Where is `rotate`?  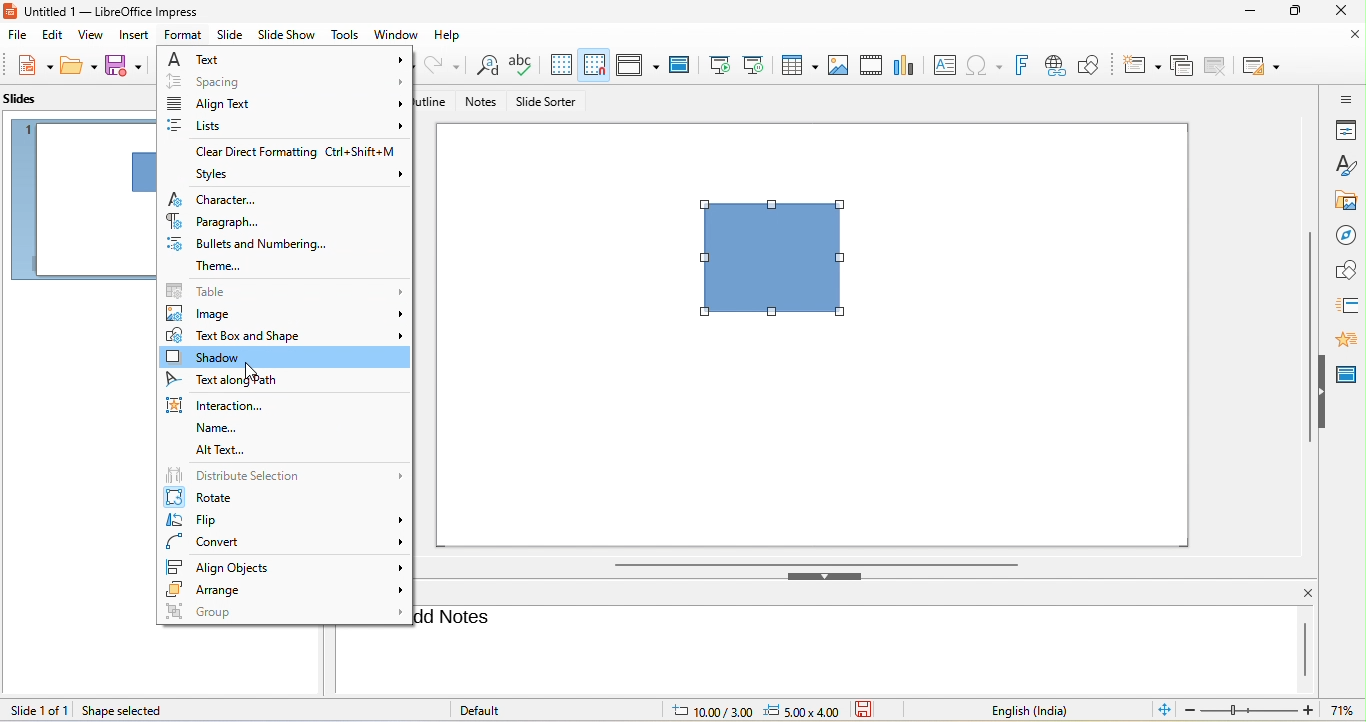 rotate is located at coordinates (275, 497).